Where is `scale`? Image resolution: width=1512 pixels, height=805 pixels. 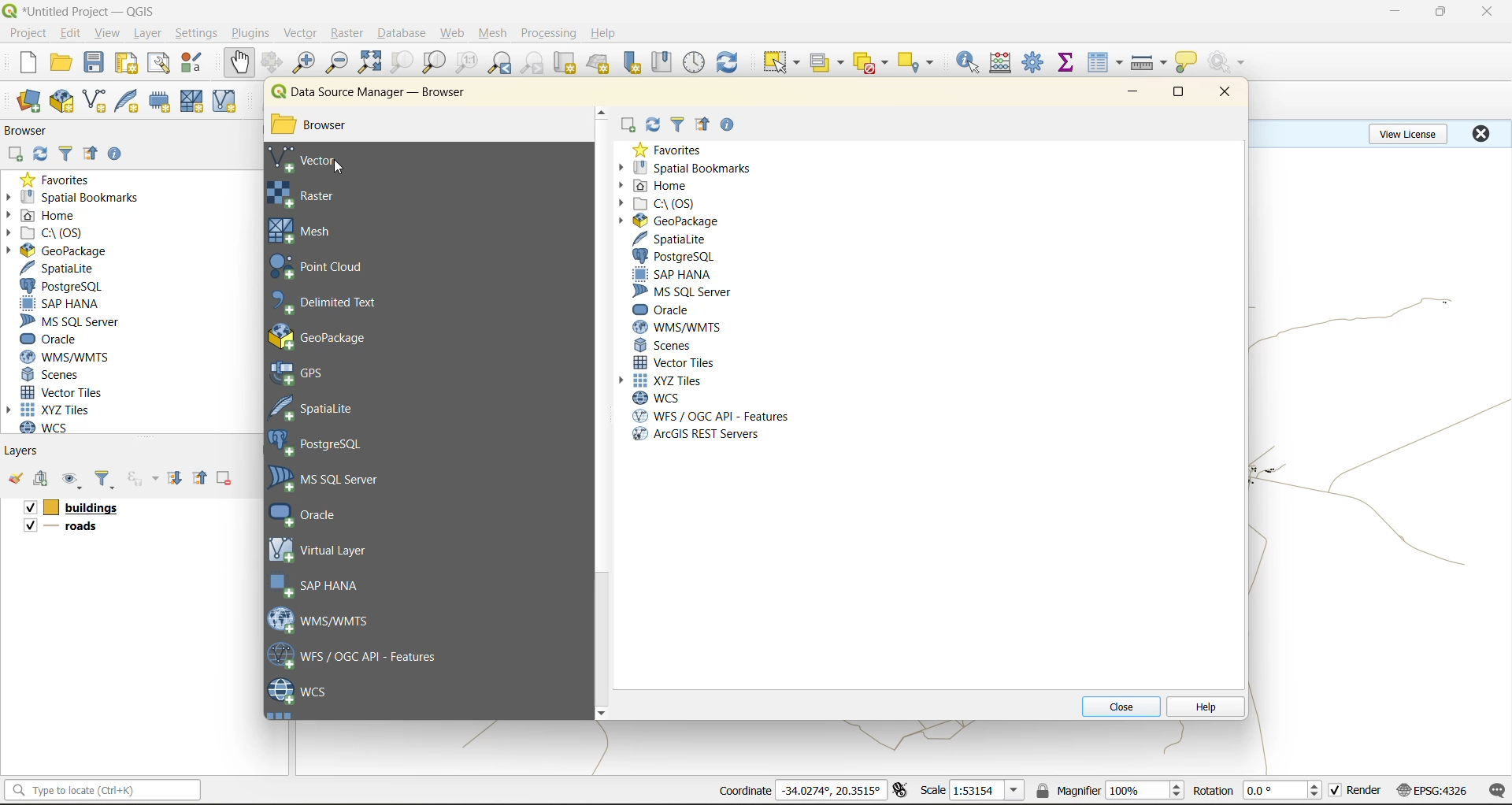
scale is located at coordinates (932, 789).